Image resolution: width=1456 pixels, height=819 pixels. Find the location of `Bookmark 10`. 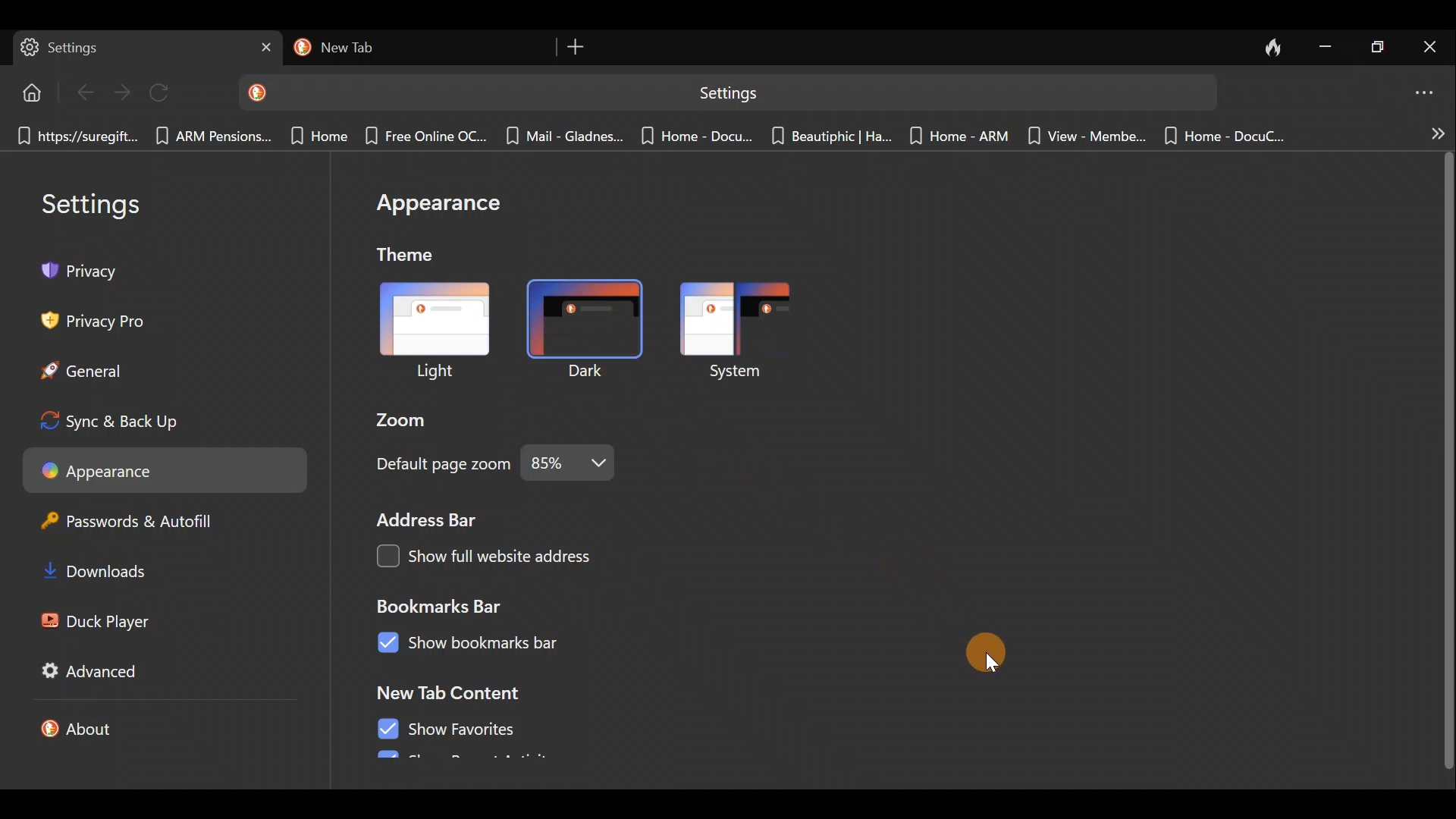

Bookmark 10 is located at coordinates (1221, 134).